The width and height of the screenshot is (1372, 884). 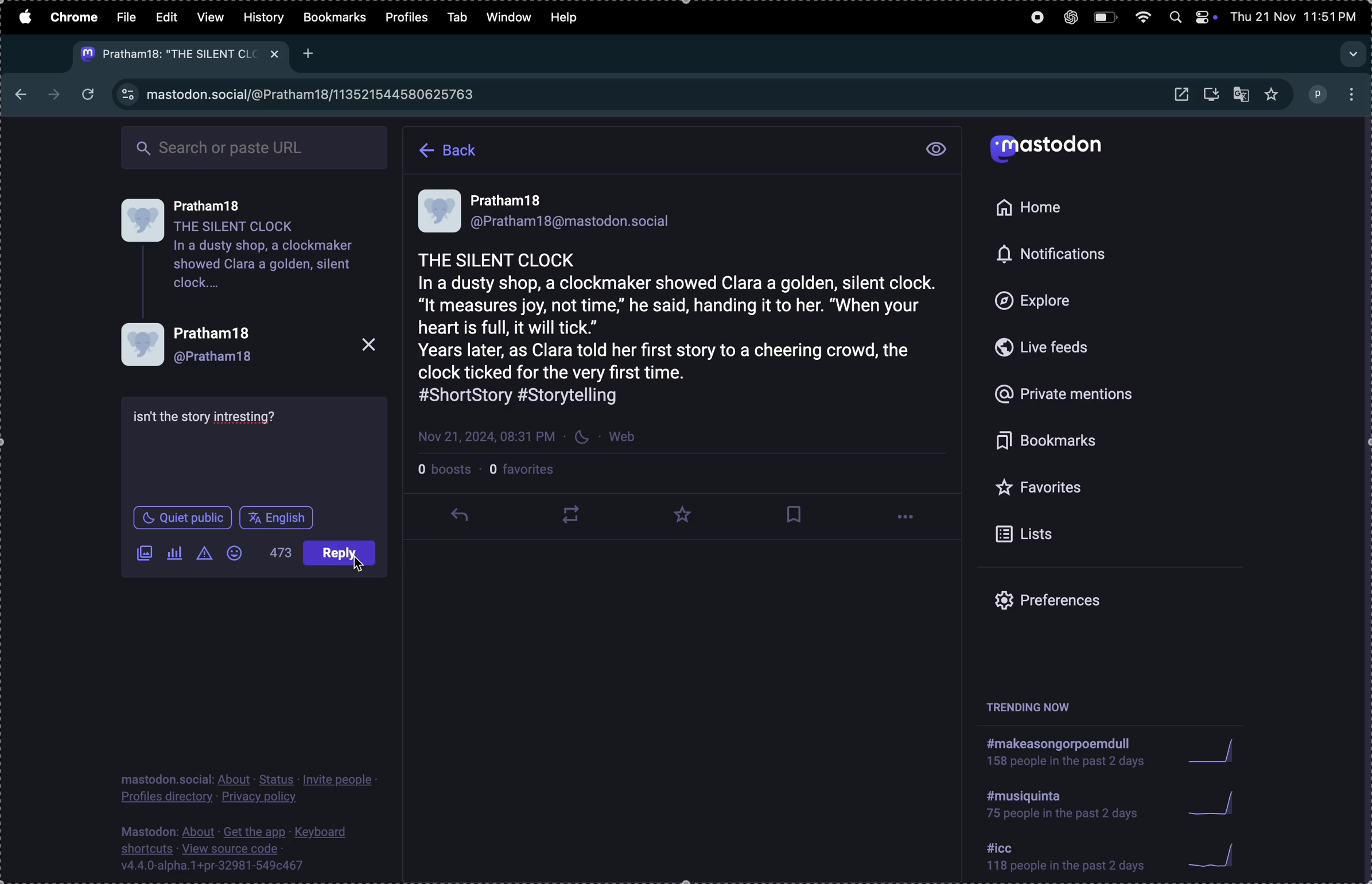 What do you see at coordinates (278, 555) in the screenshot?
I see `no of words` at bounding box center [278, 555].